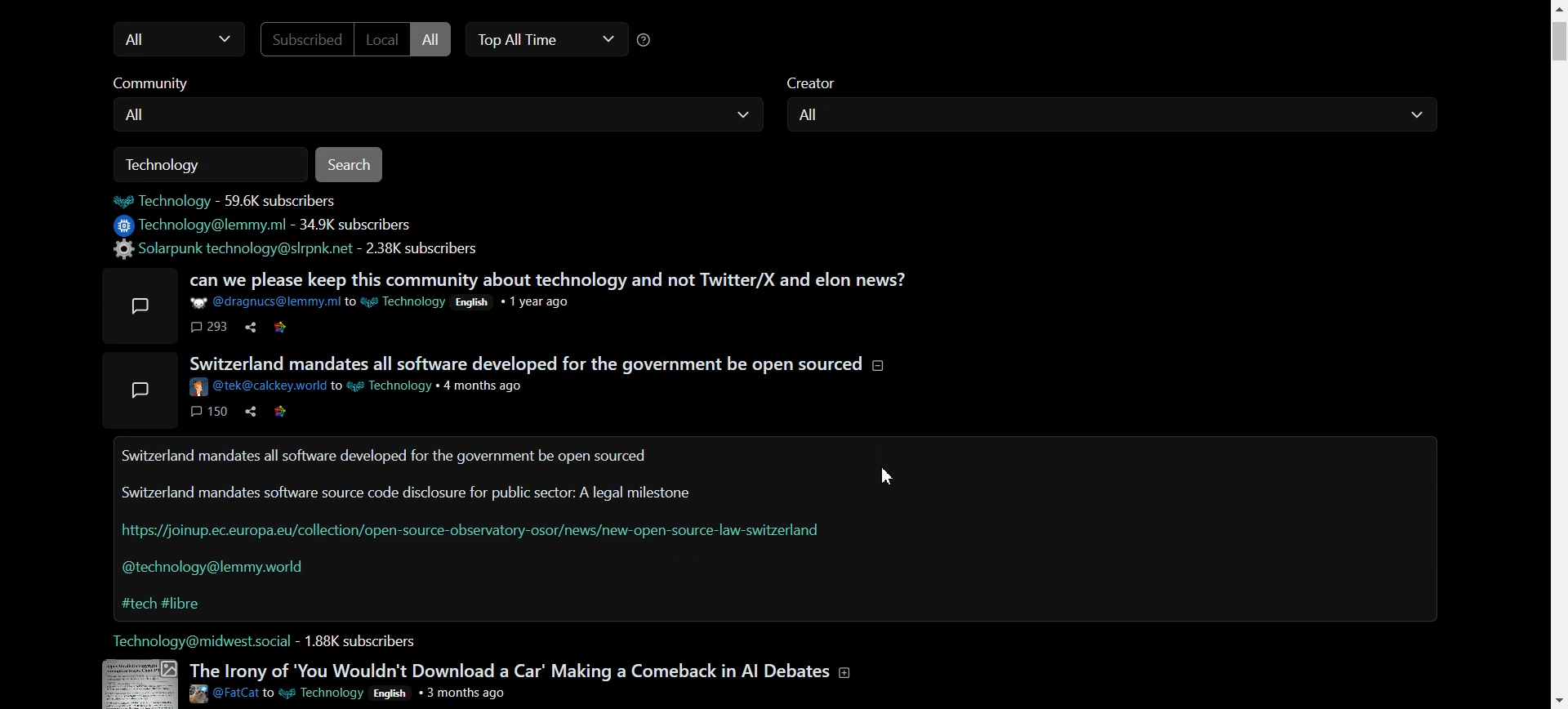  Describe the element at coordinates (234, 200) in the screenshot. I see `Technology - 59.6K subscribers` at that location.